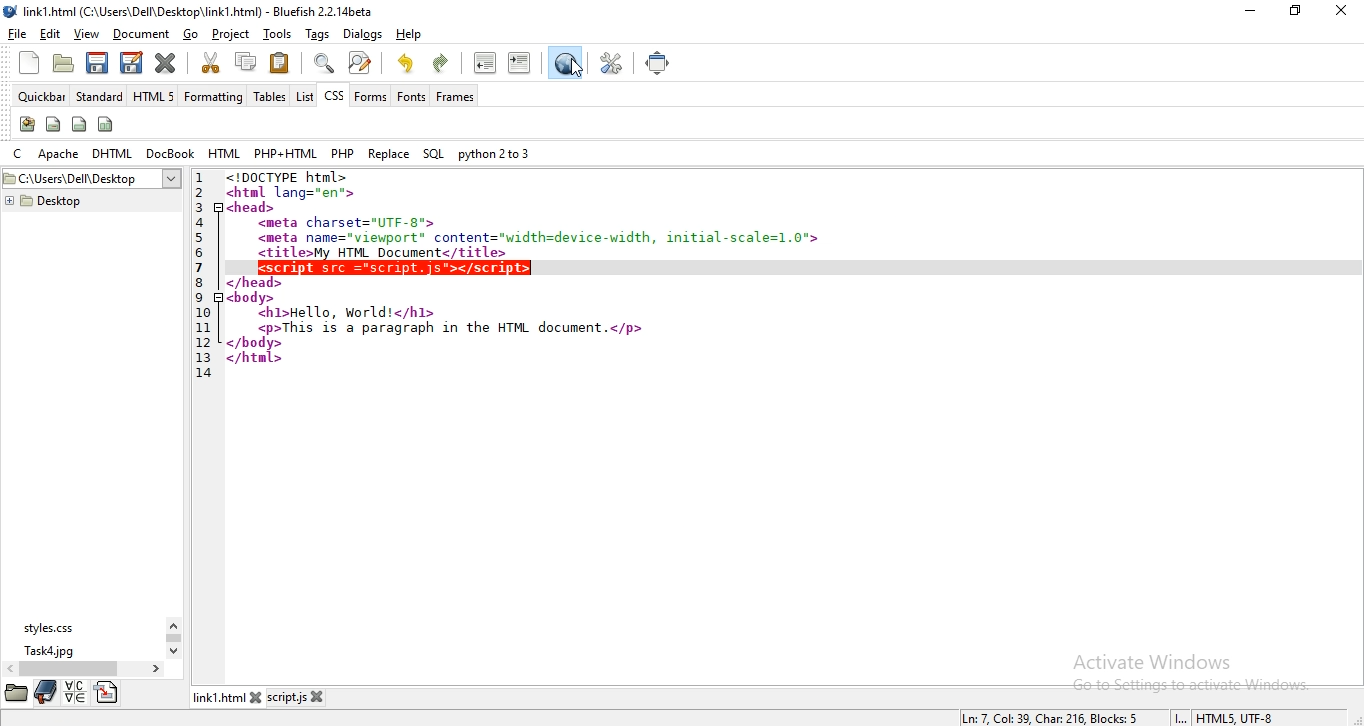 The height and width of the screenshot is (726, 1364). What do you see at coordinates (27, 62) in the screenshot?
I see `new file` at bounding box center [27, 62].